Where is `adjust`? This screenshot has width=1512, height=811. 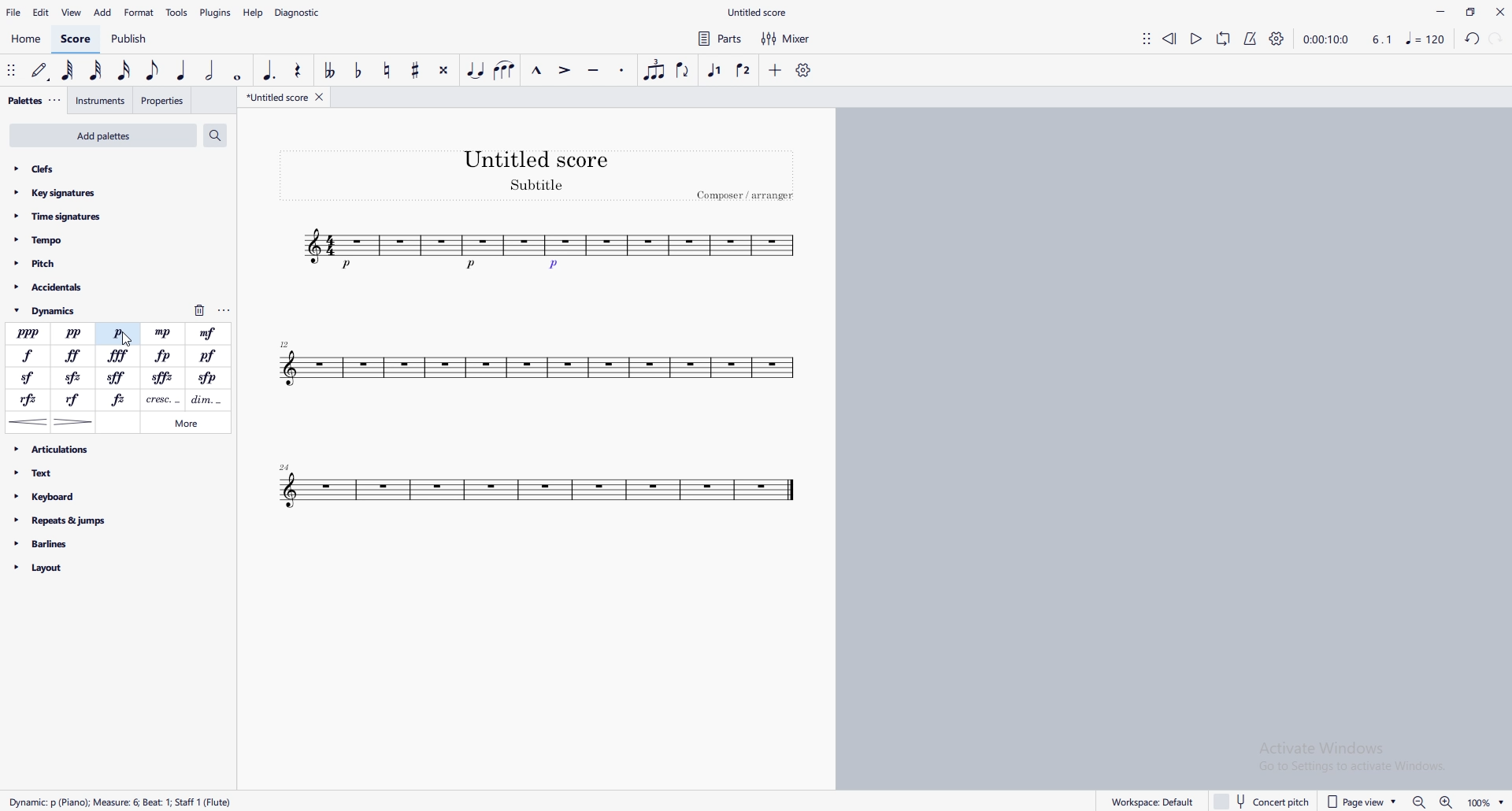
adjust is located at coordinates (13, 71).